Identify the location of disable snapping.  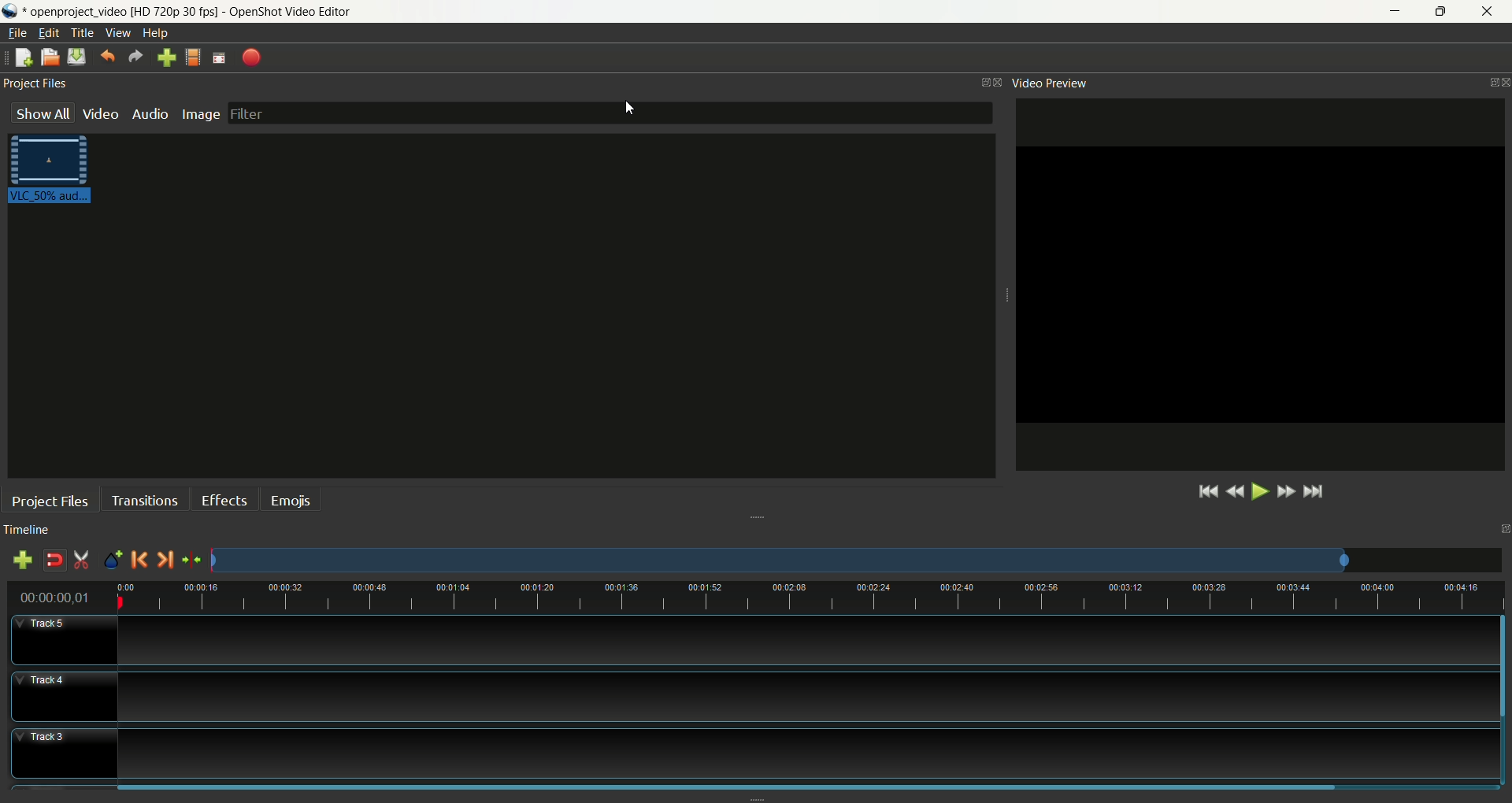
(54, 560).